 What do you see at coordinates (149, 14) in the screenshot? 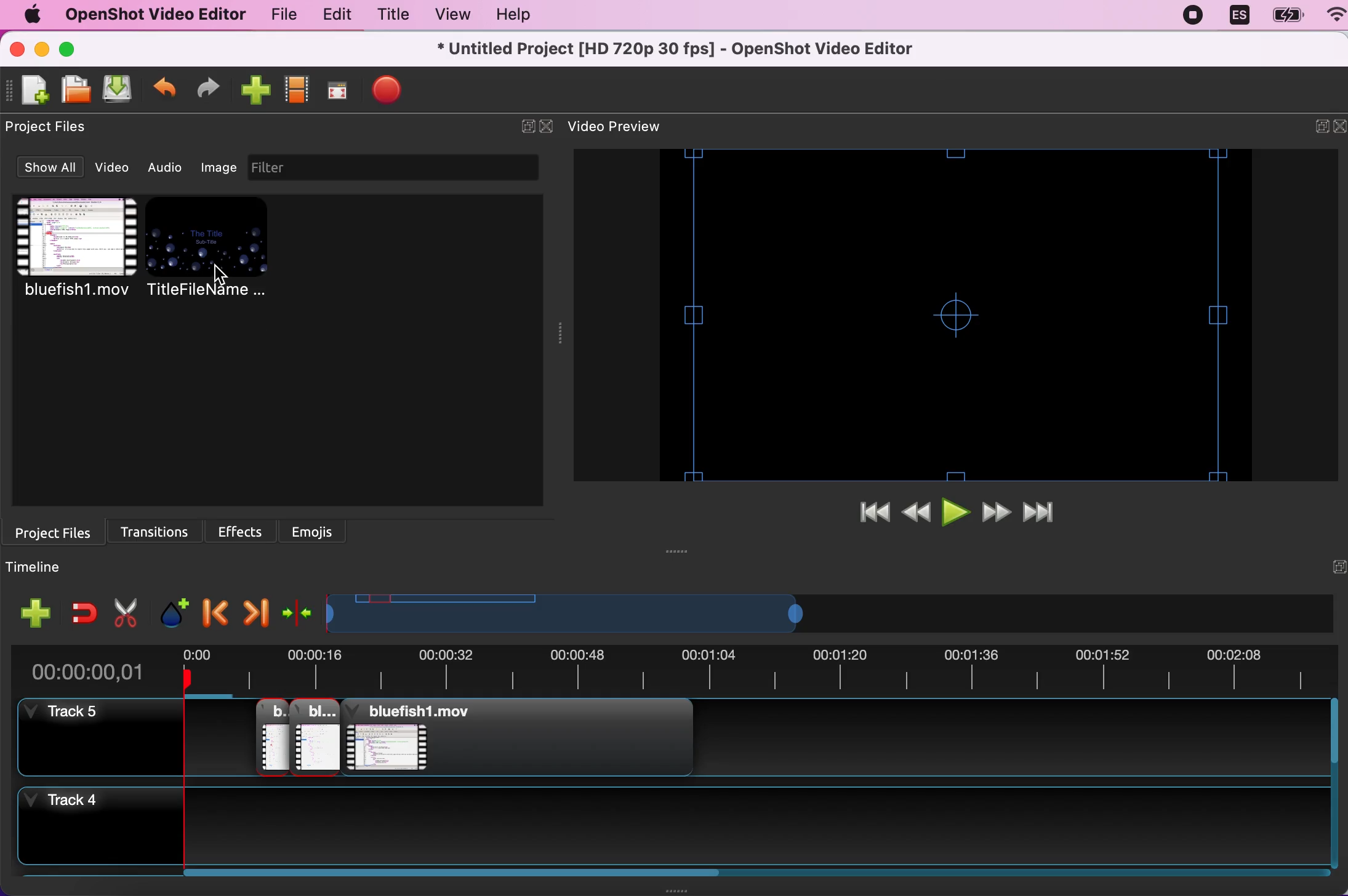
I see `openshot video editor` at bounding box center [149, 14].